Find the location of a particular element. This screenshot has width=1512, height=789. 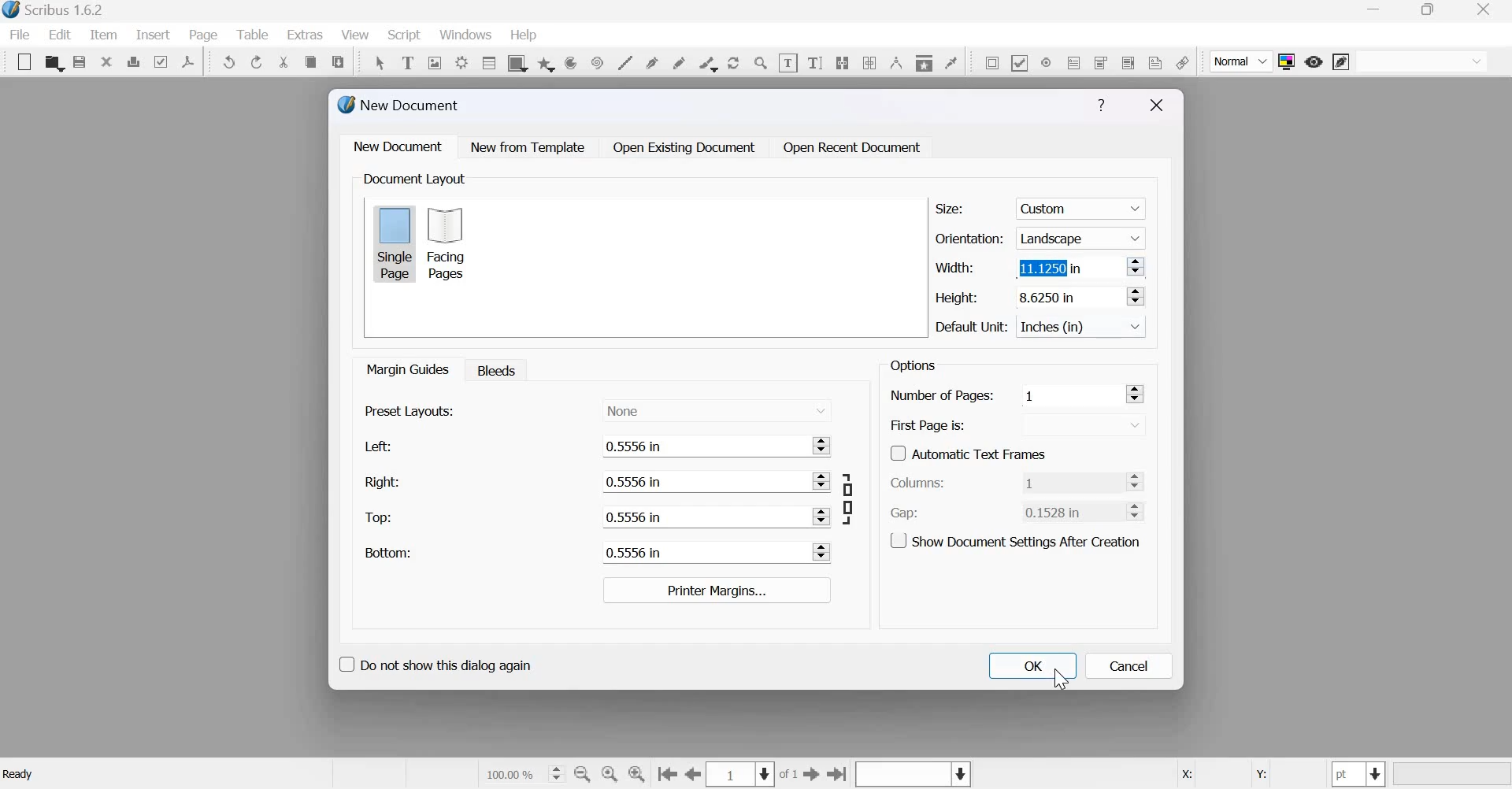

arc is located at coordinates (570, 62).